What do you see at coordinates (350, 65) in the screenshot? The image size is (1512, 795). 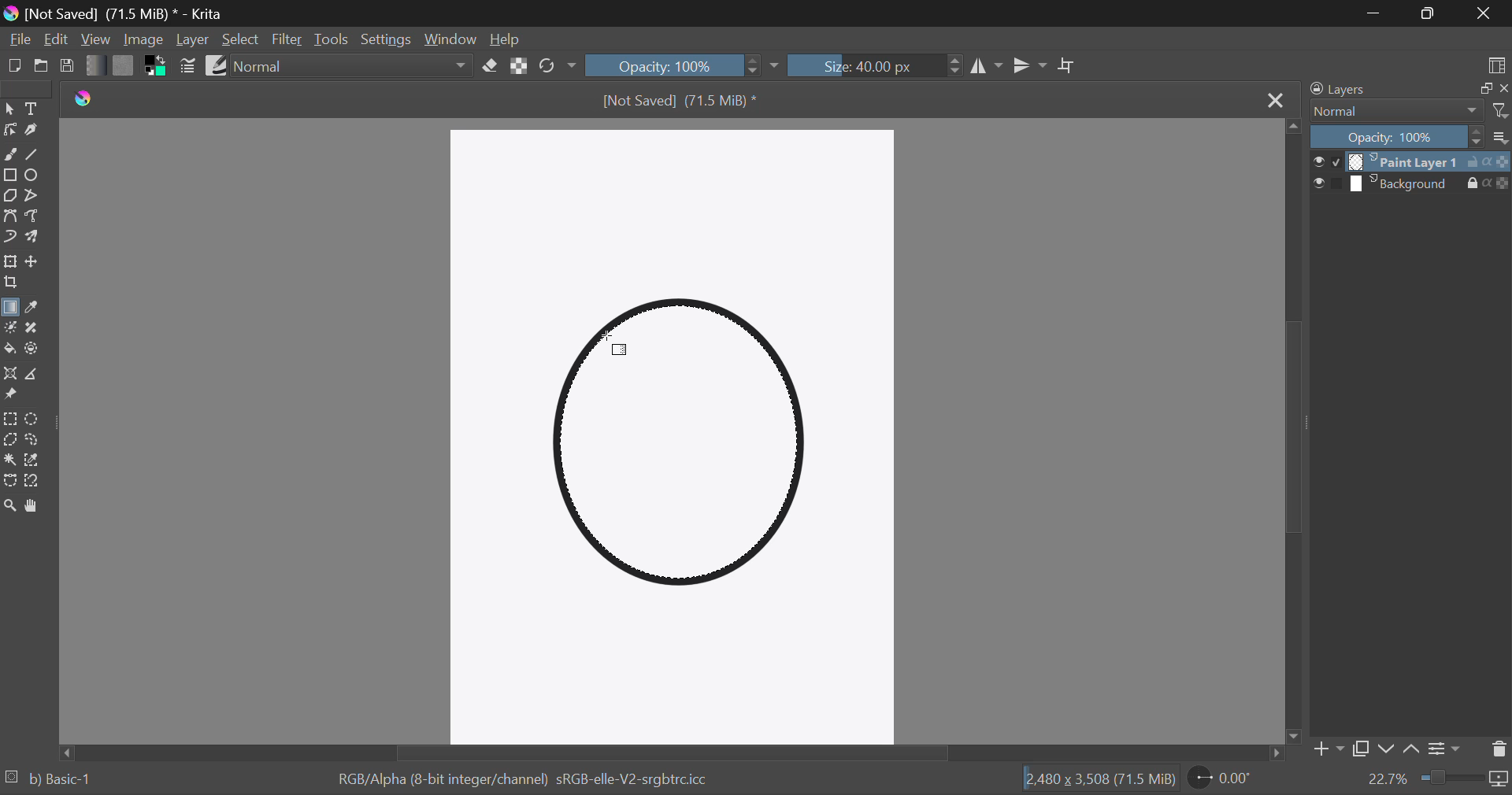 I see `Blending Modes` at bounding box center [350, 65].